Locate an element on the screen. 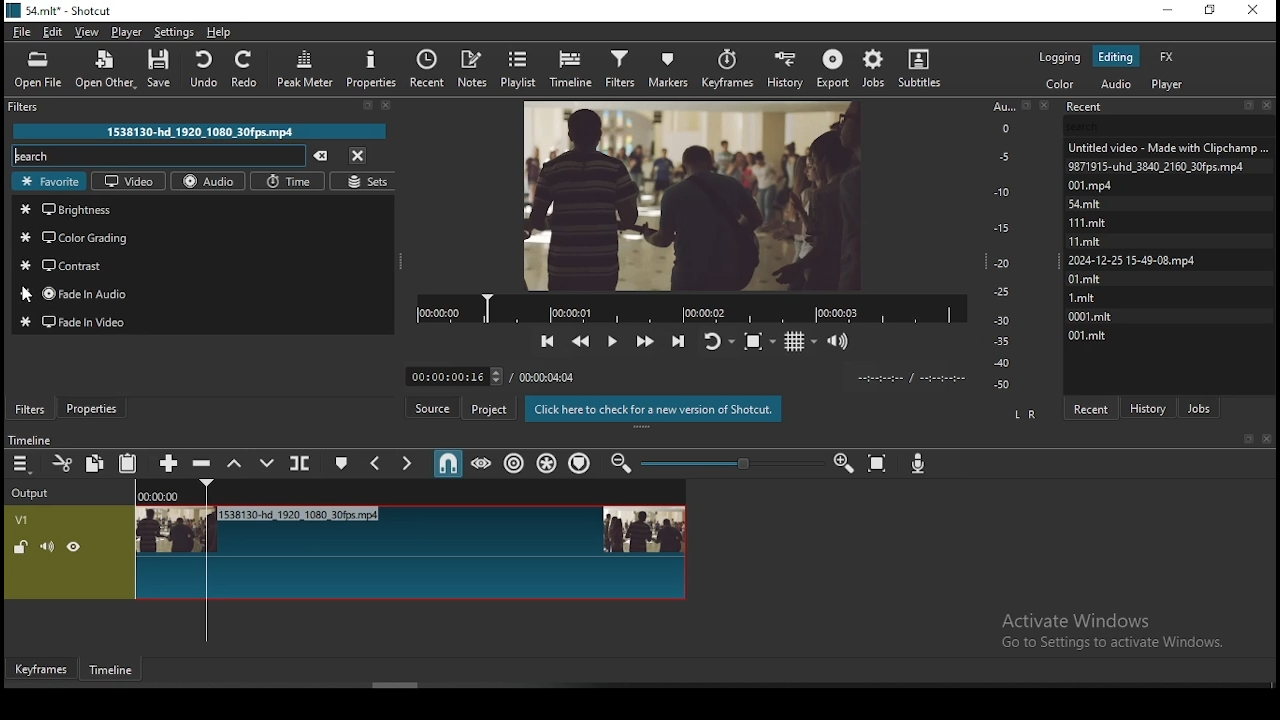 The image size is (1280, 720). timeline is located at coordinates (112, 673).